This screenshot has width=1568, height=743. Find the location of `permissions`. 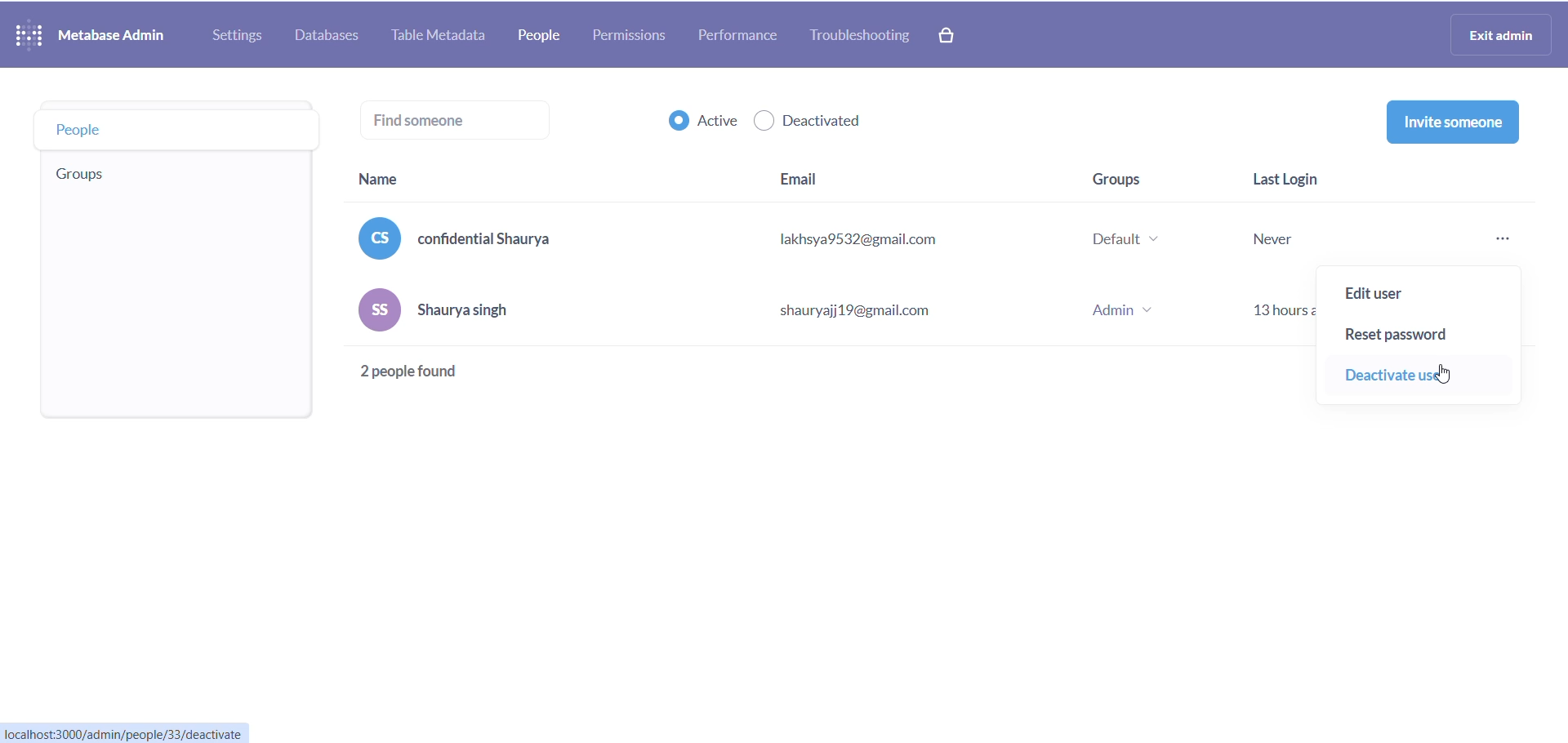

permissions is located at coordinates (633, 36).